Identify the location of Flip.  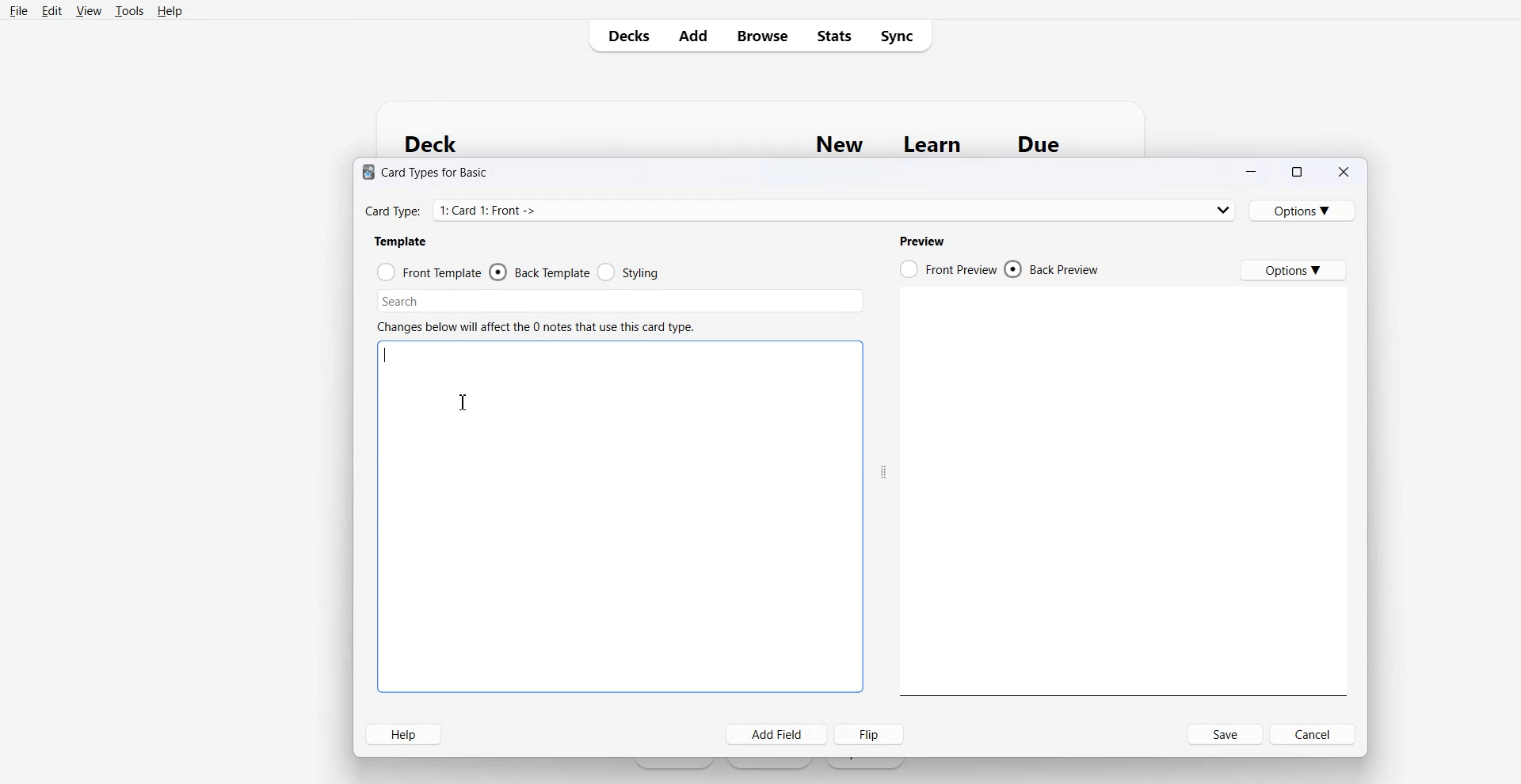
(869, 734).